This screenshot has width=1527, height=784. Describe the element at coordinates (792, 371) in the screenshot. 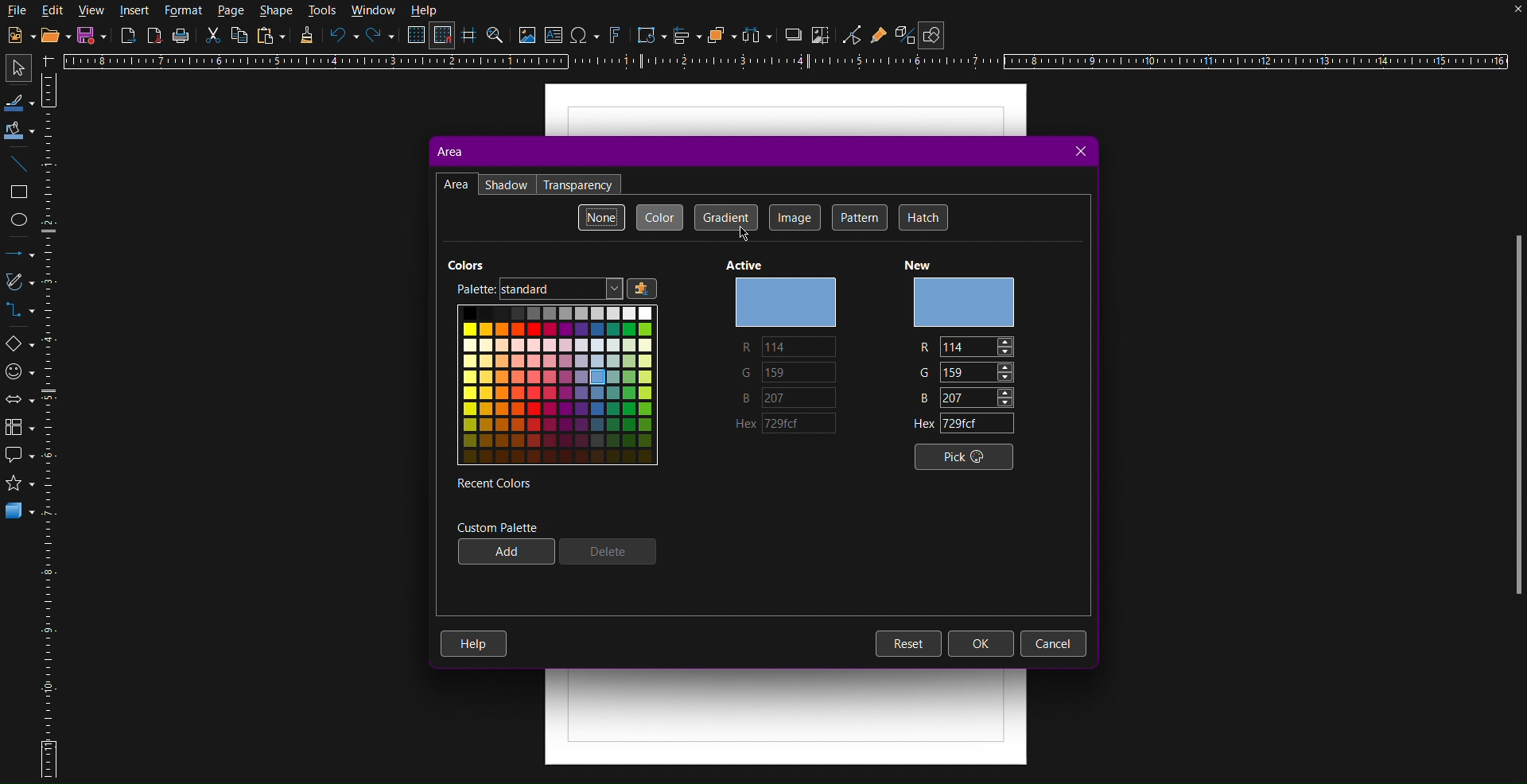

I see `Active RGB Values` at that location.